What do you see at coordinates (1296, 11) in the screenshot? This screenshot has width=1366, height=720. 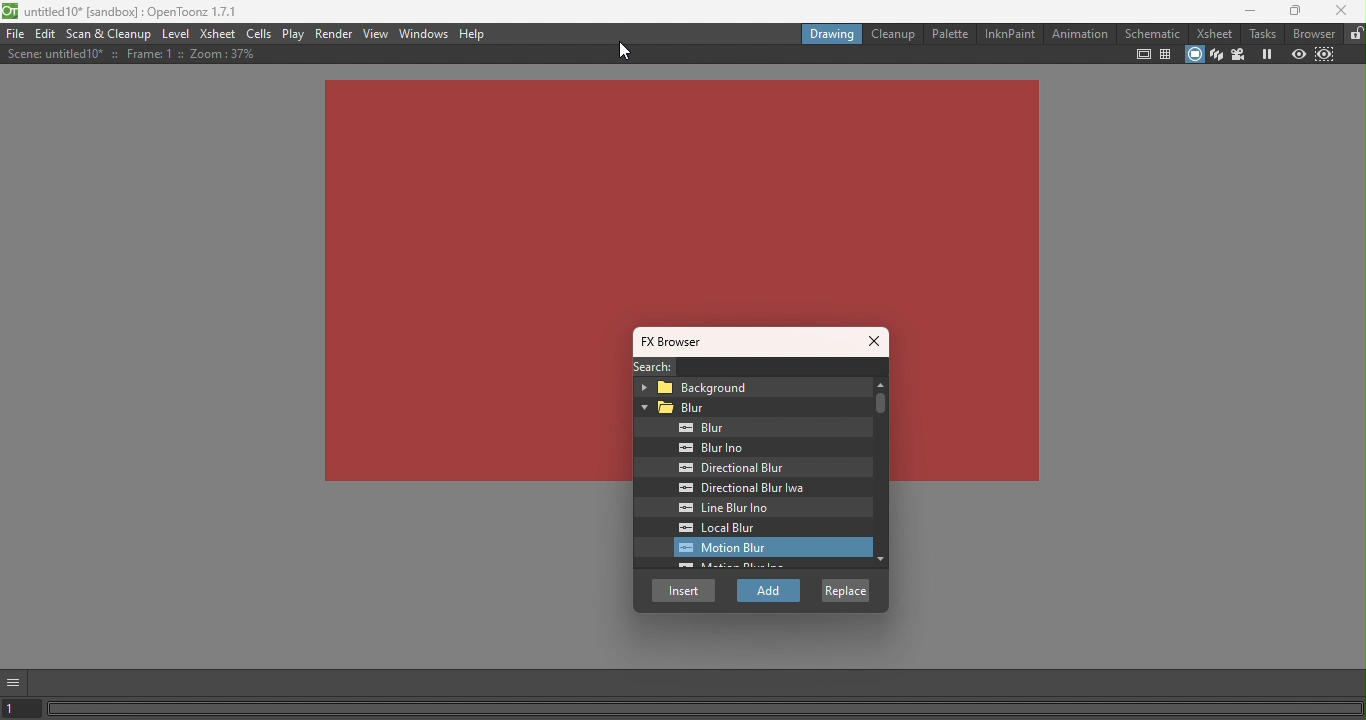 I see `Maximize` at bounding box center [1296, 11].